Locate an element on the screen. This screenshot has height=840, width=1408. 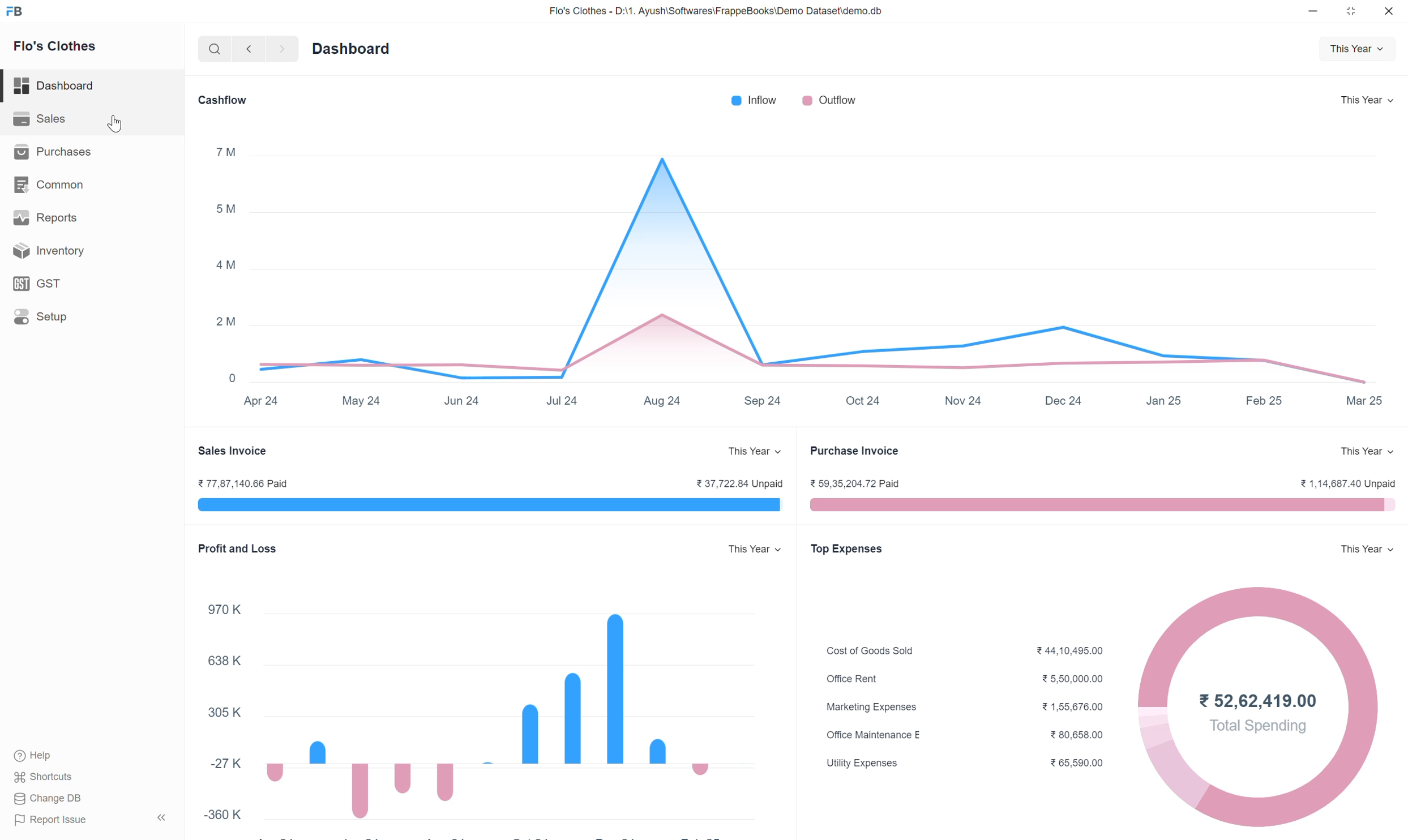
Sales Invoice is located at coordinates (224, 452).